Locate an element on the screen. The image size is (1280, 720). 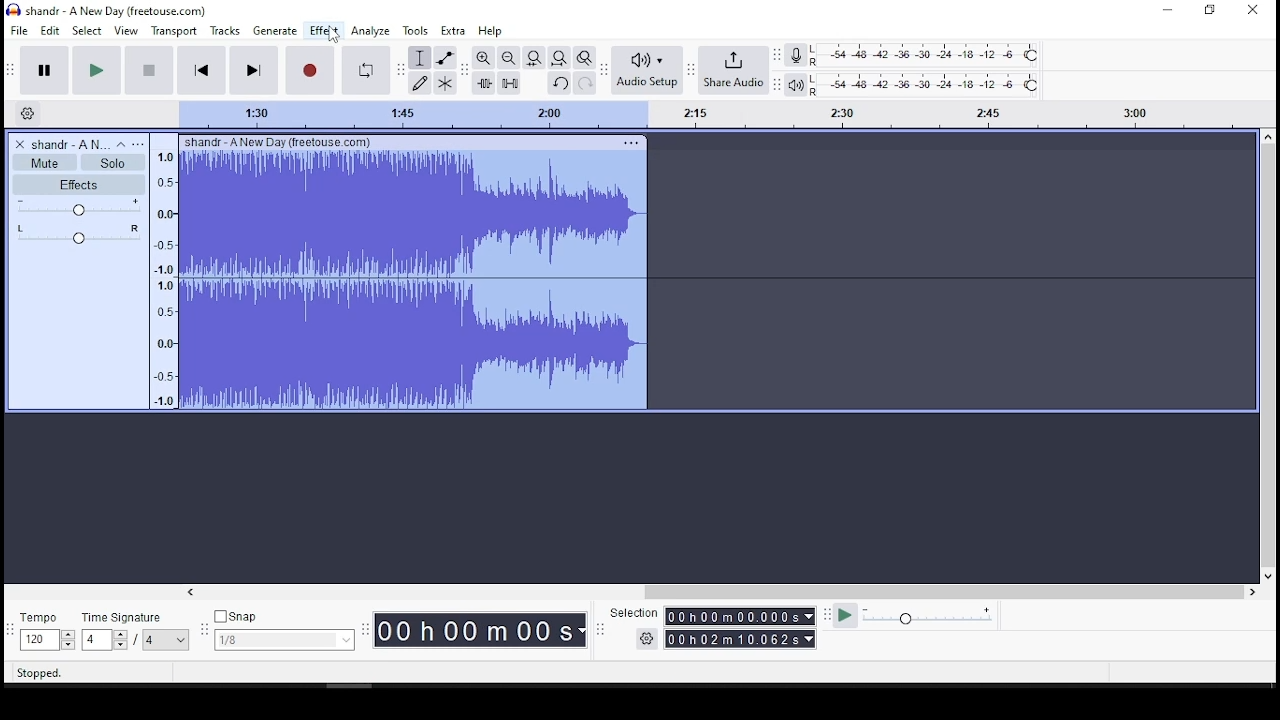
record meter is located at coordinates (797, 56).